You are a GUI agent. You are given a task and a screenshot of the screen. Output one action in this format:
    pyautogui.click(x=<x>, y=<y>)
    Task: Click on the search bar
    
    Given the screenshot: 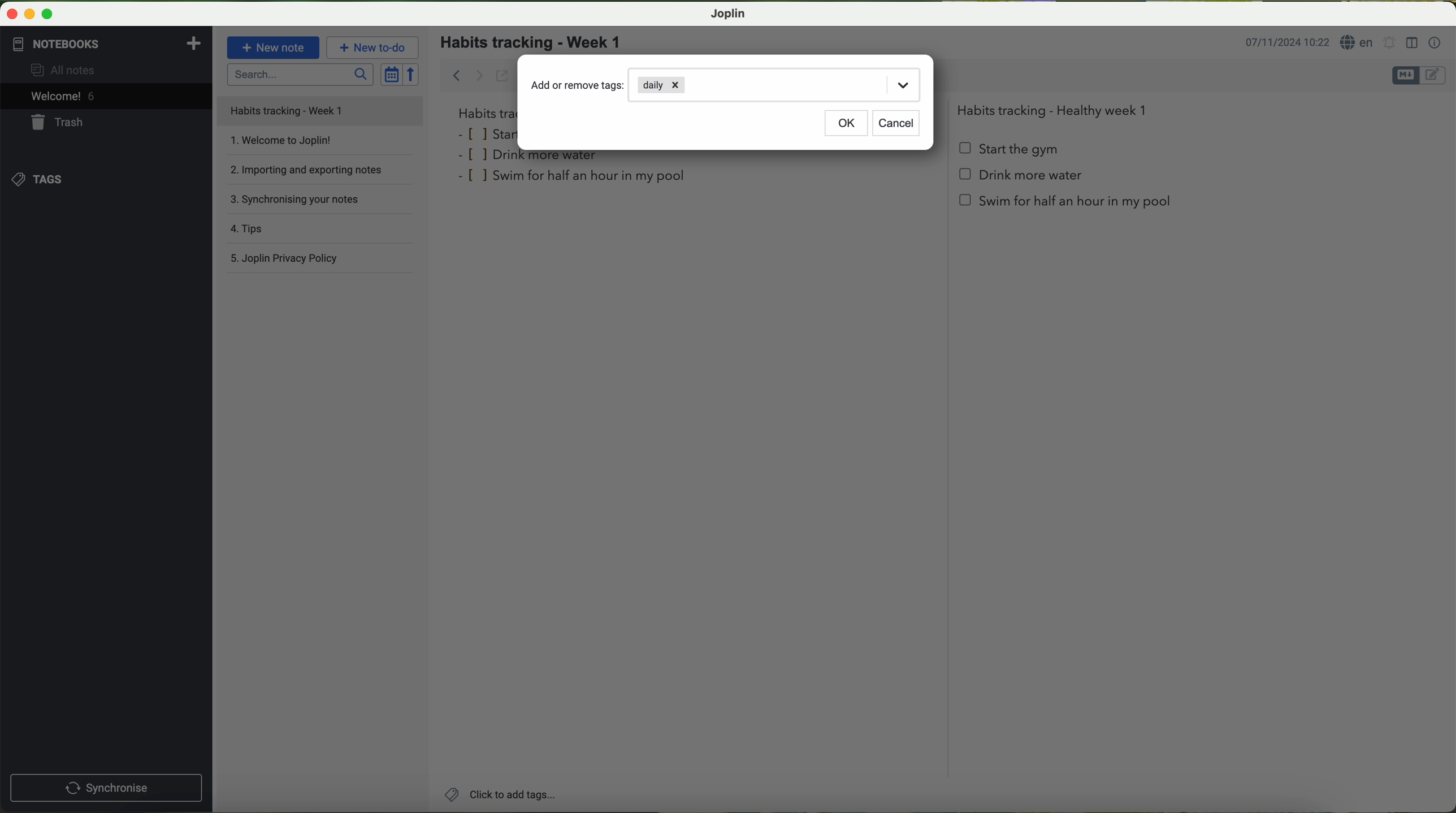 What is the action you would take?
    pyautogui.click(x=299, y=74)
    